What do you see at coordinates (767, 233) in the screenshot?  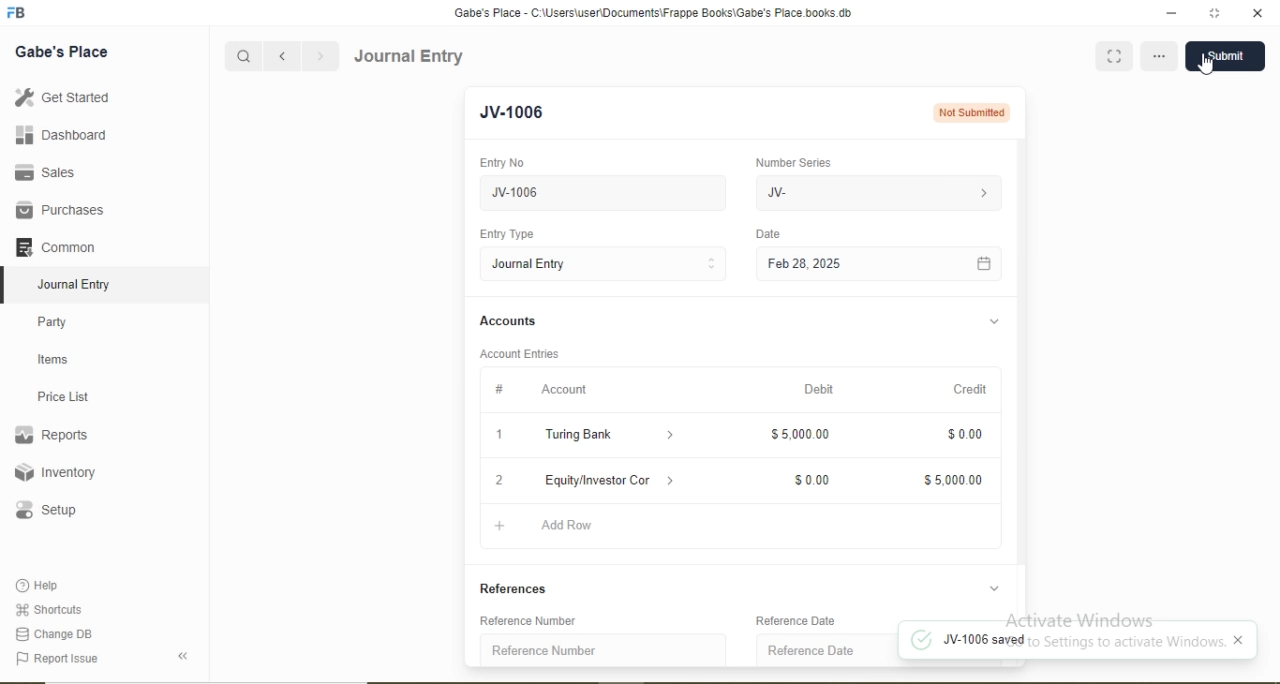 I see `Date` at bounding box center [767, 233].